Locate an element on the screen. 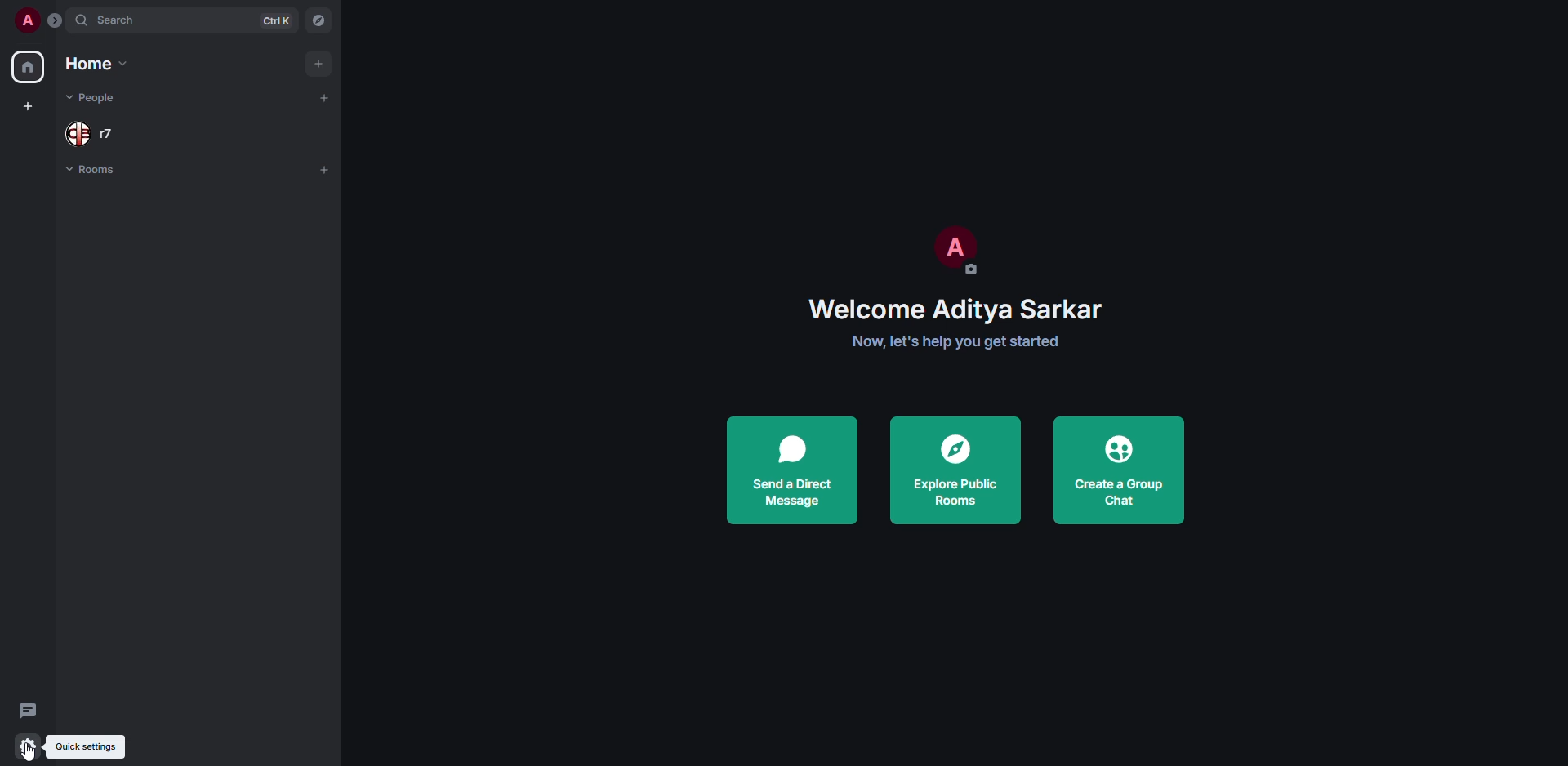  create space is located at coordinates (29, 108).